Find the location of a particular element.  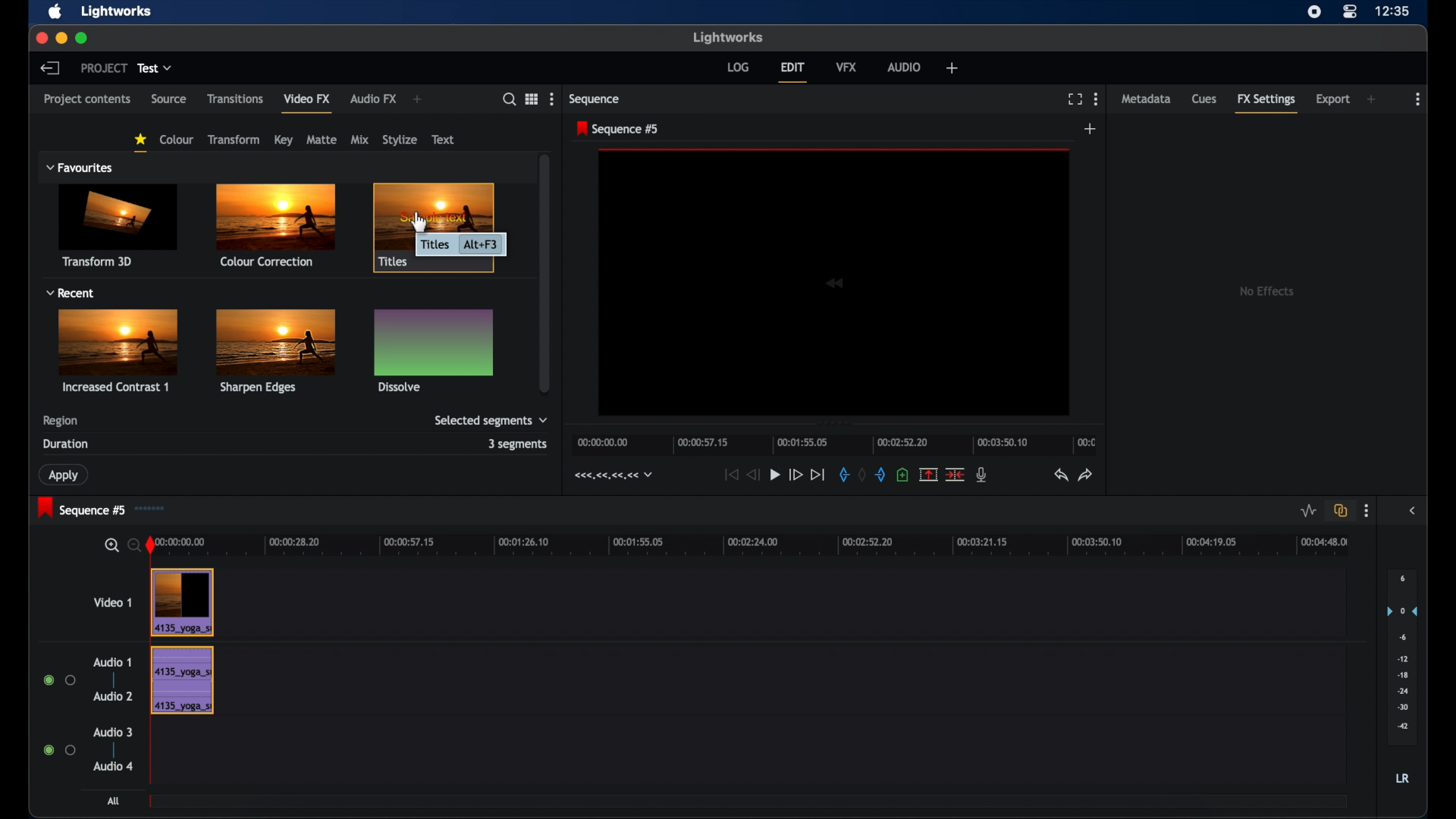

lr is located at coordinates (1402, 780).